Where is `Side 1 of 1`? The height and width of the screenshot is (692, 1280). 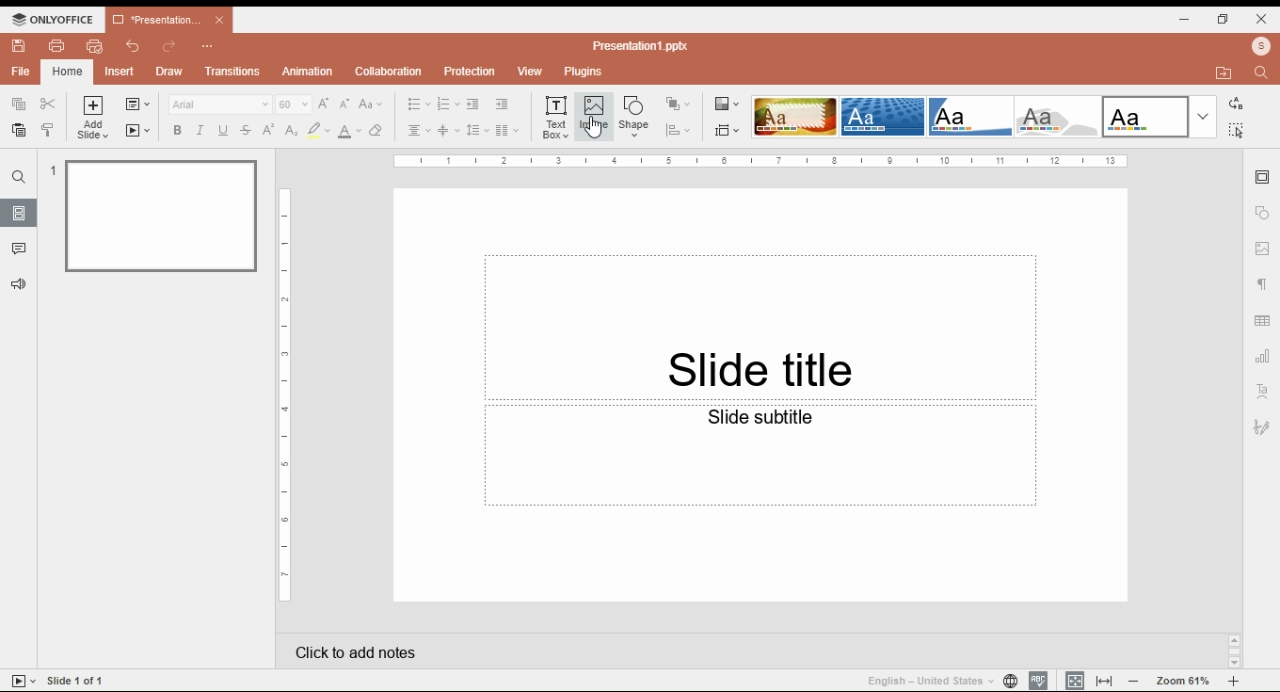 Side 1 of 1 is located at coordinates (82, 679).